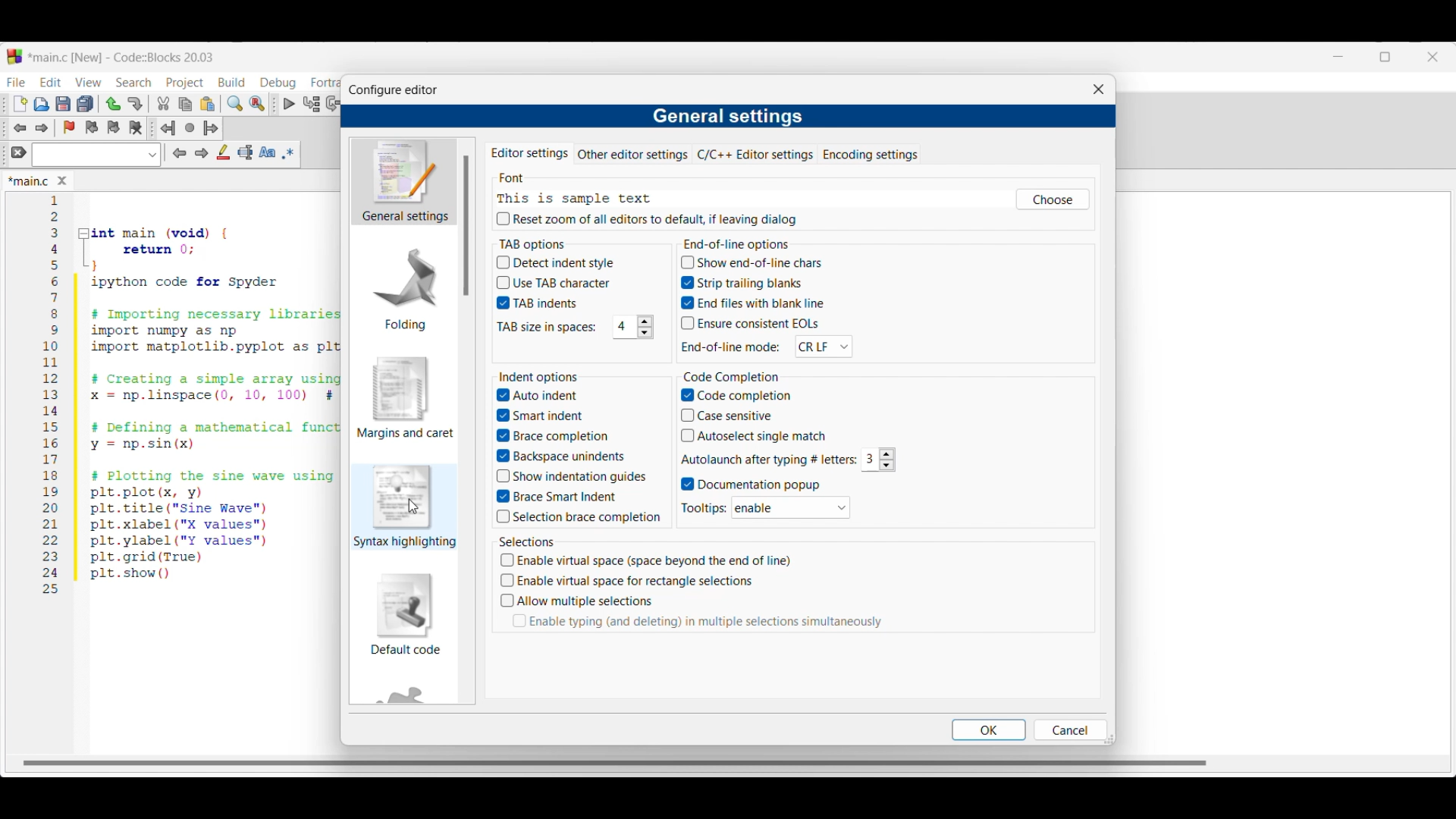  What do you see at coordinates (755, 303) in the screenshot?
I see `End files with blank line` at bounding box center [755, 303].